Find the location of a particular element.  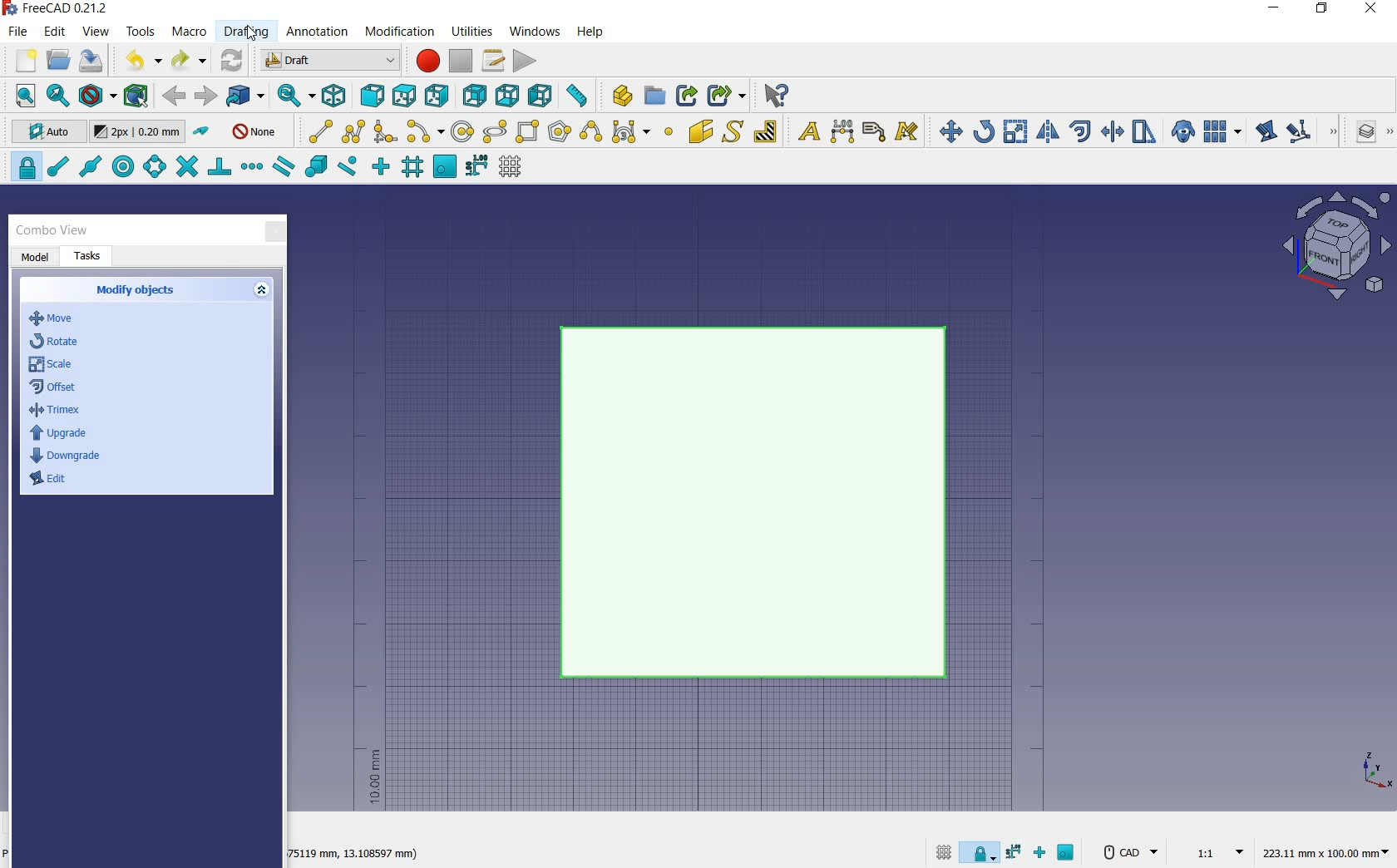

what's this? is located at coordinates (775, 96).